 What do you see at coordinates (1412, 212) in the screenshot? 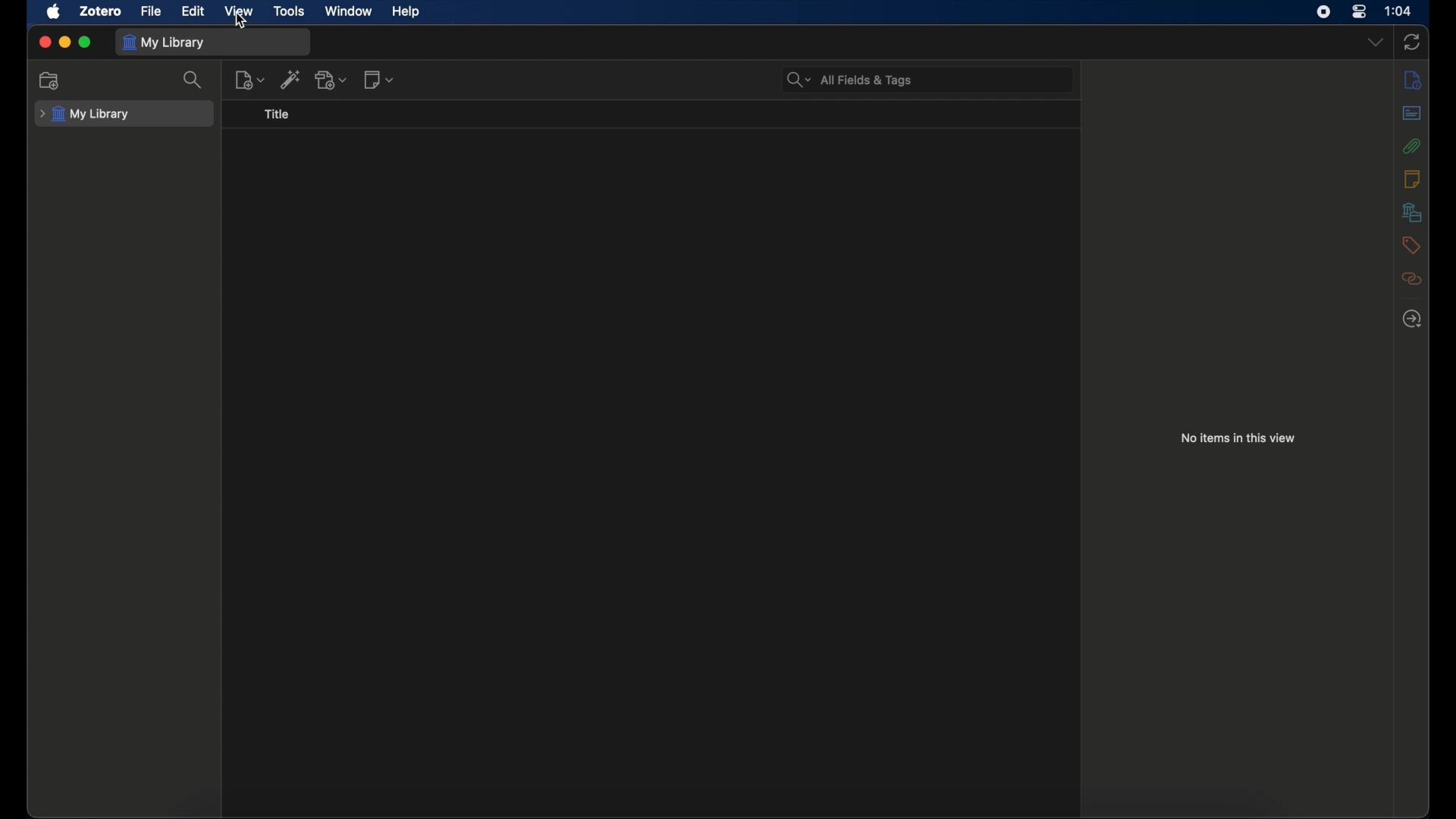
I see `libraries` at bounding box center [1412, 212].